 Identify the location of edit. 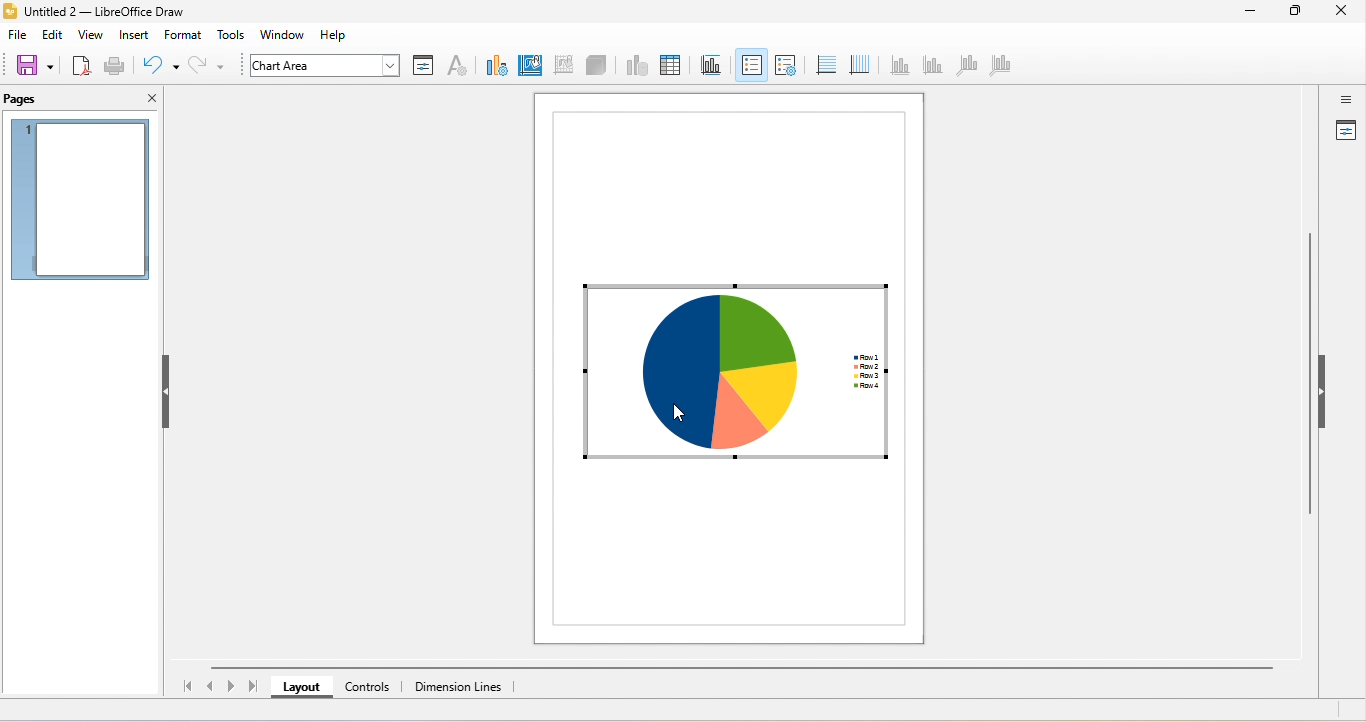
(52, 36).